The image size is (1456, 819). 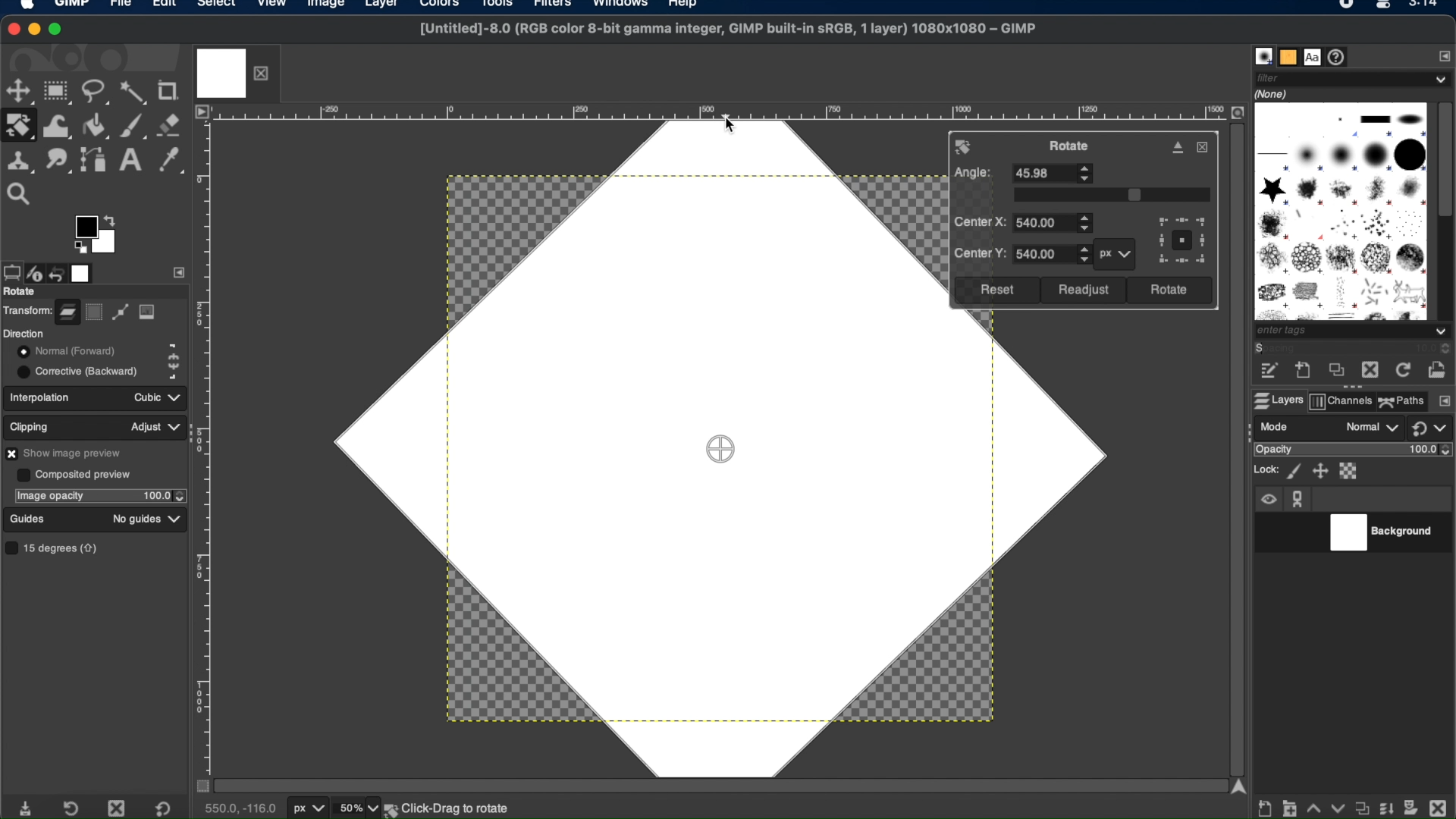 I want to click on no guides, so click(x=136, y=519).